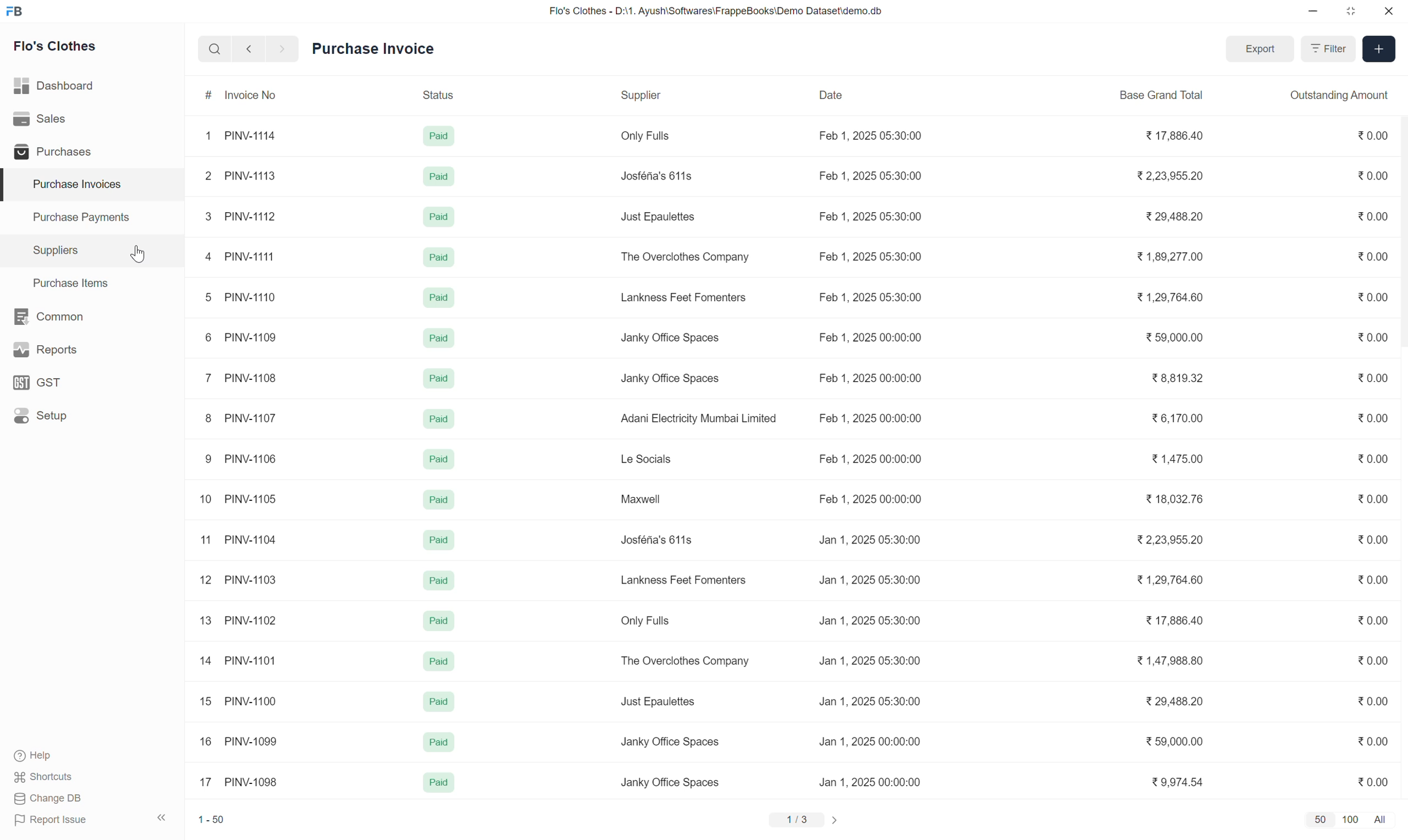  What do you see at coordinates (1174, 135) in the screenshot?
I see `17,886.40` at bounding box center [1174, 135].